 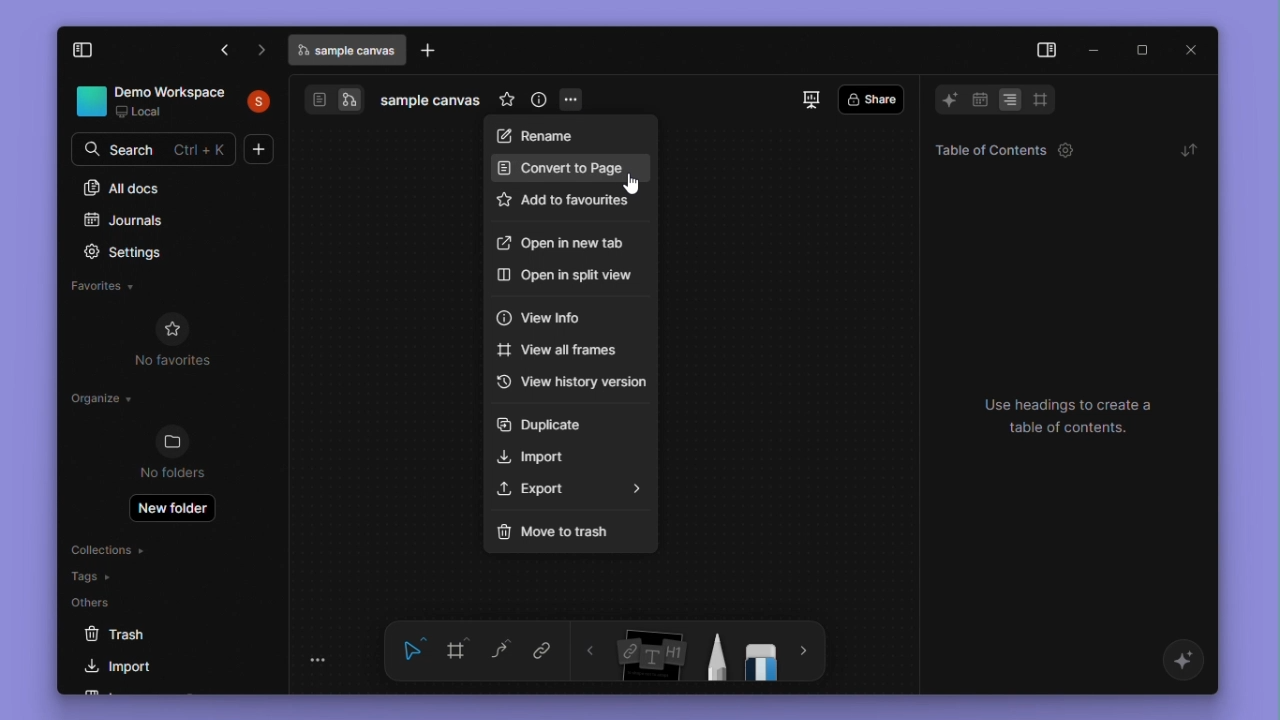 I want to click on arrange, so click(x=1187, y=149).